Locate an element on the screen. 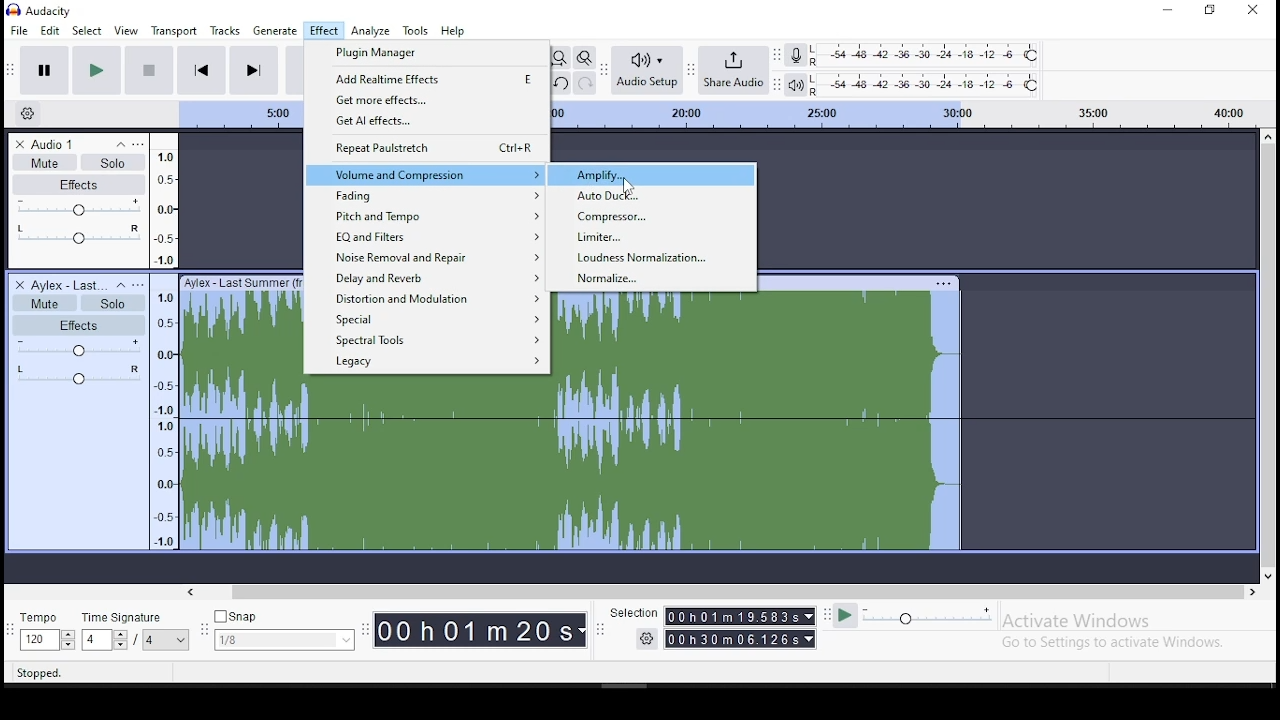  get more effects is located at coordinates (427, 101).